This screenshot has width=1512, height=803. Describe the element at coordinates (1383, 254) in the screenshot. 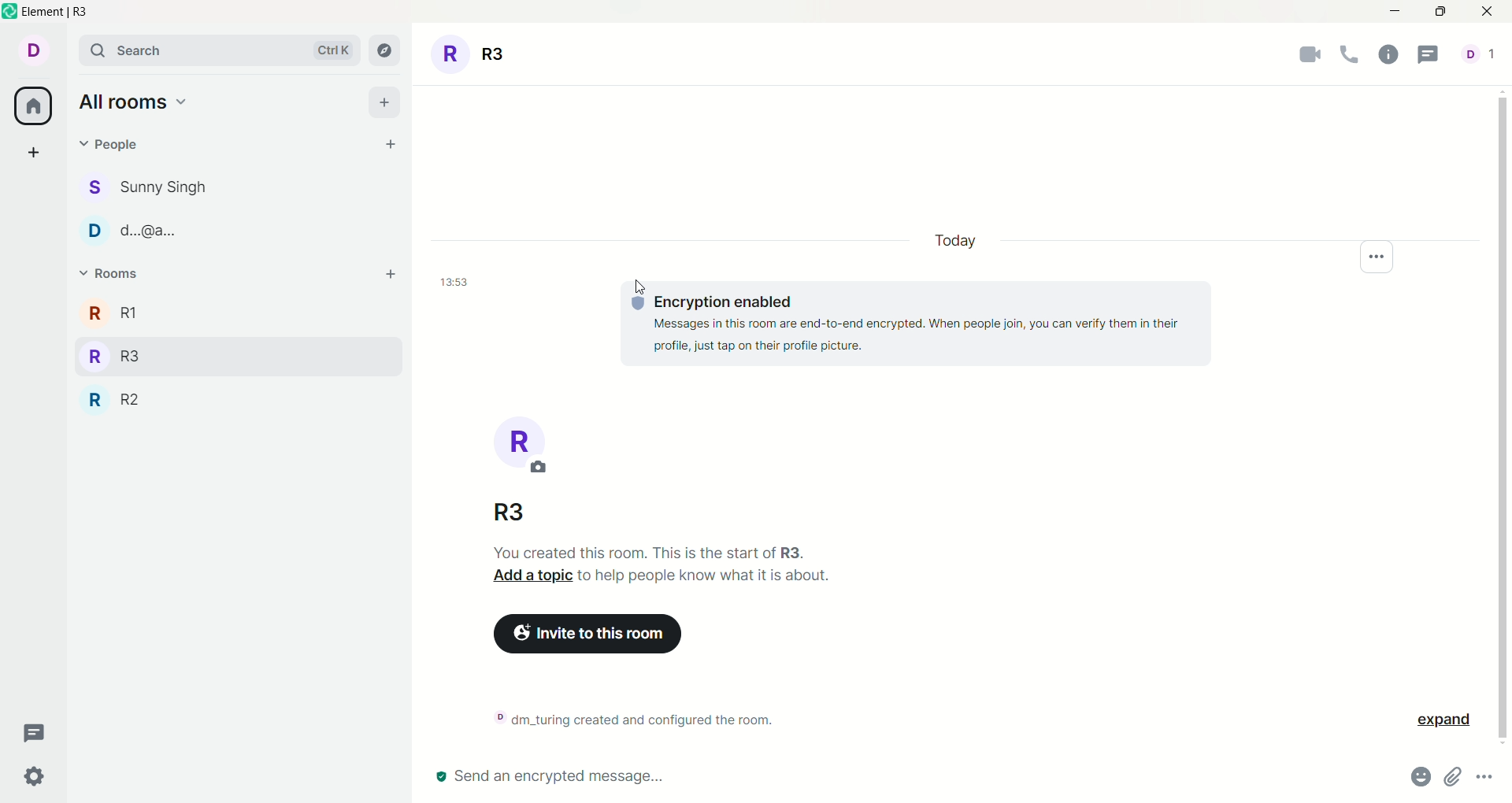

I see `options` at that location.